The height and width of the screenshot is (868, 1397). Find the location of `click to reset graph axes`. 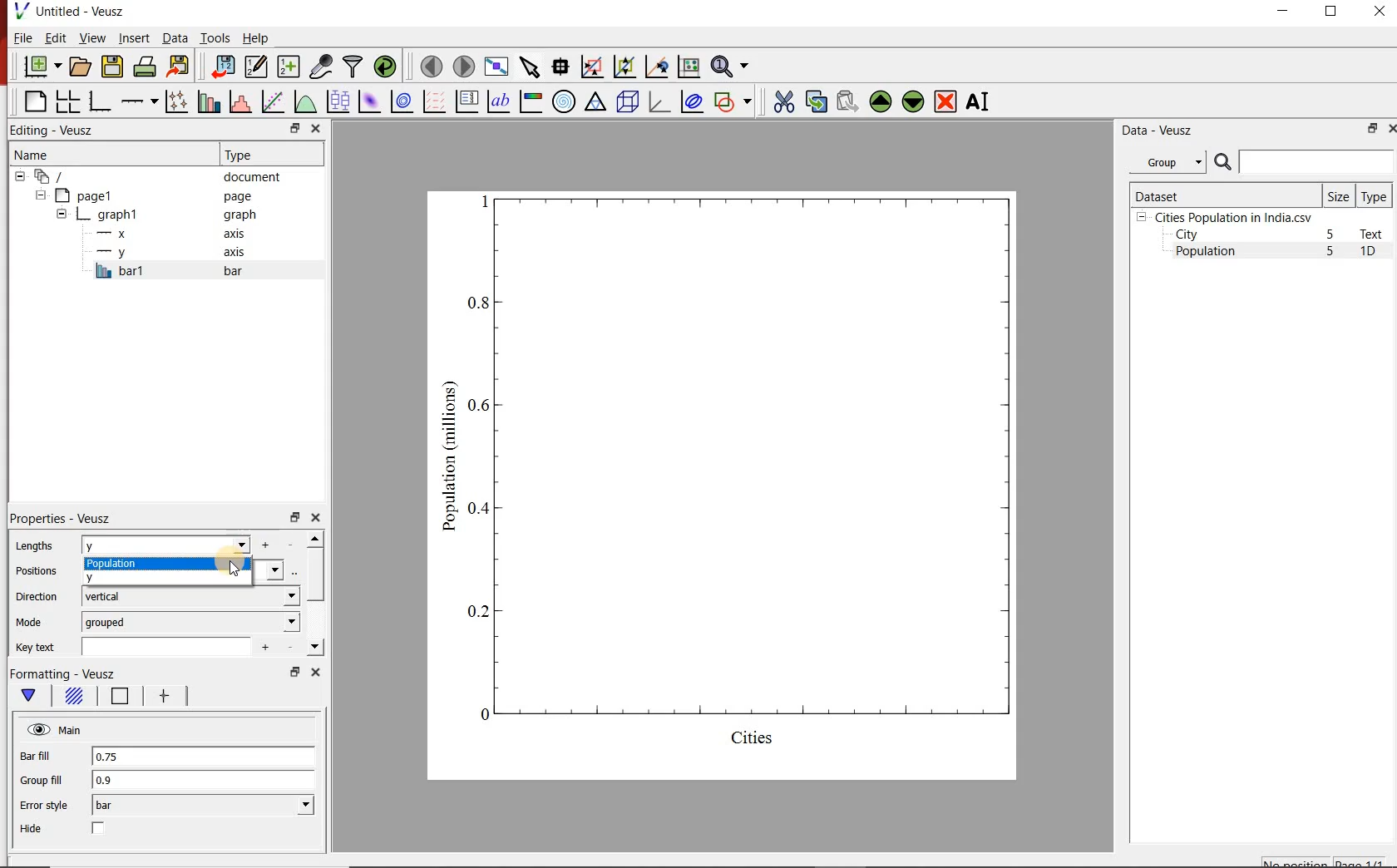

click to reset graph axes is located at coordinates (689, 66).